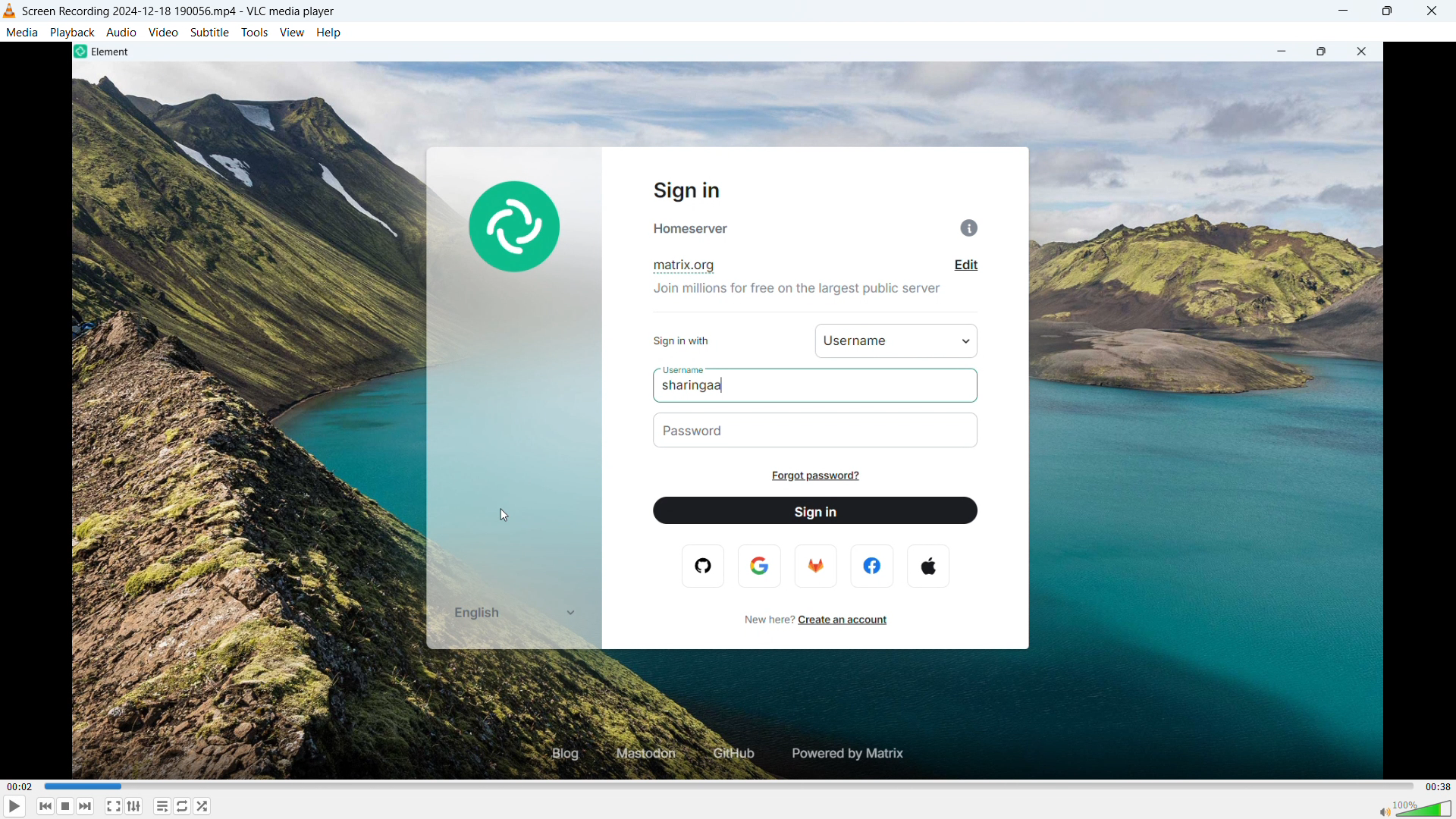  Describe the element at coordinates (255, 33) in the screenshot. I see `tools` at that location.